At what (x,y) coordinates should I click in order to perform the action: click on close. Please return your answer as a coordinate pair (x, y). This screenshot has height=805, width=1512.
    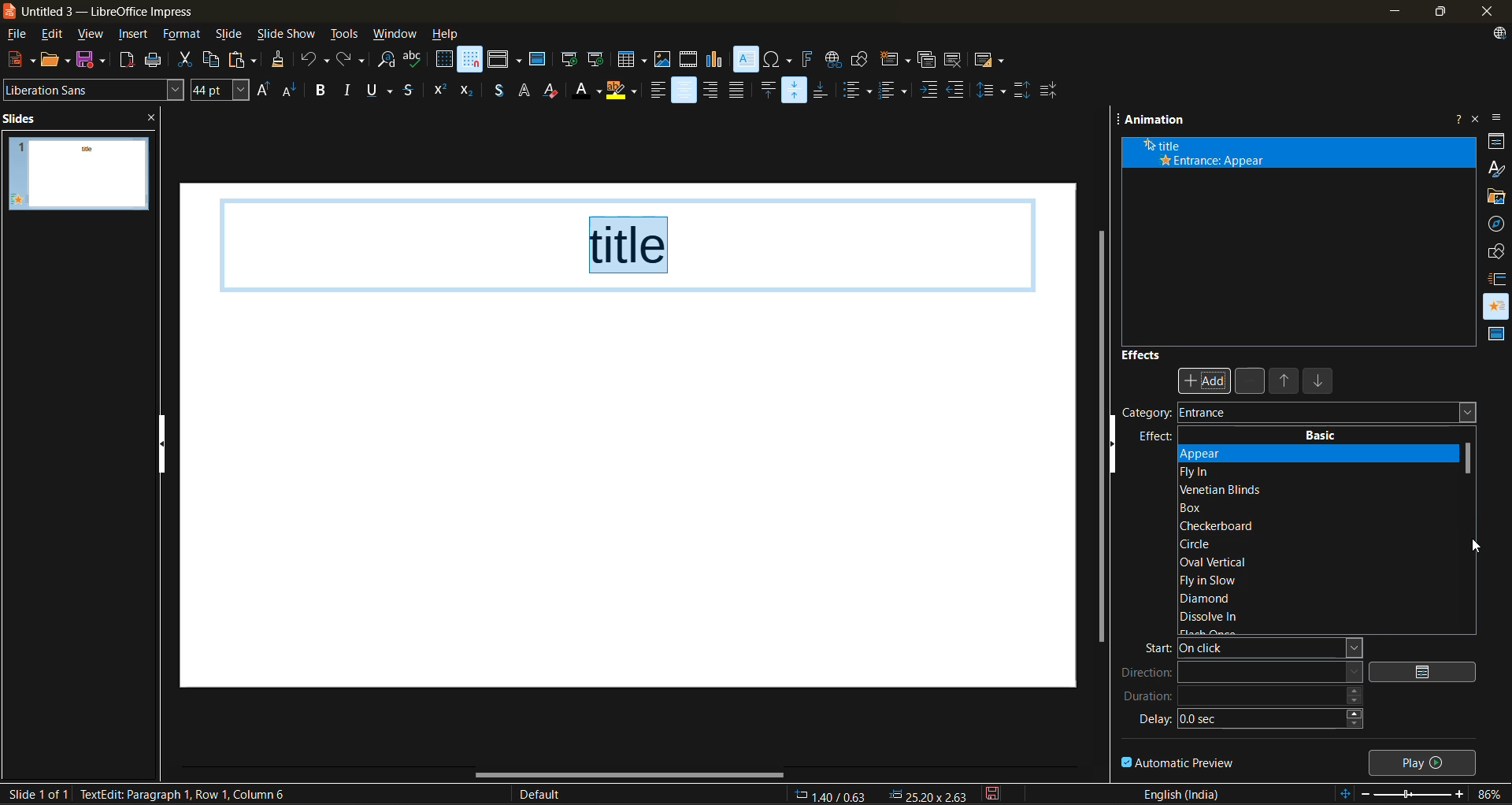
    Looking at the image, I should click on (1484, 12).